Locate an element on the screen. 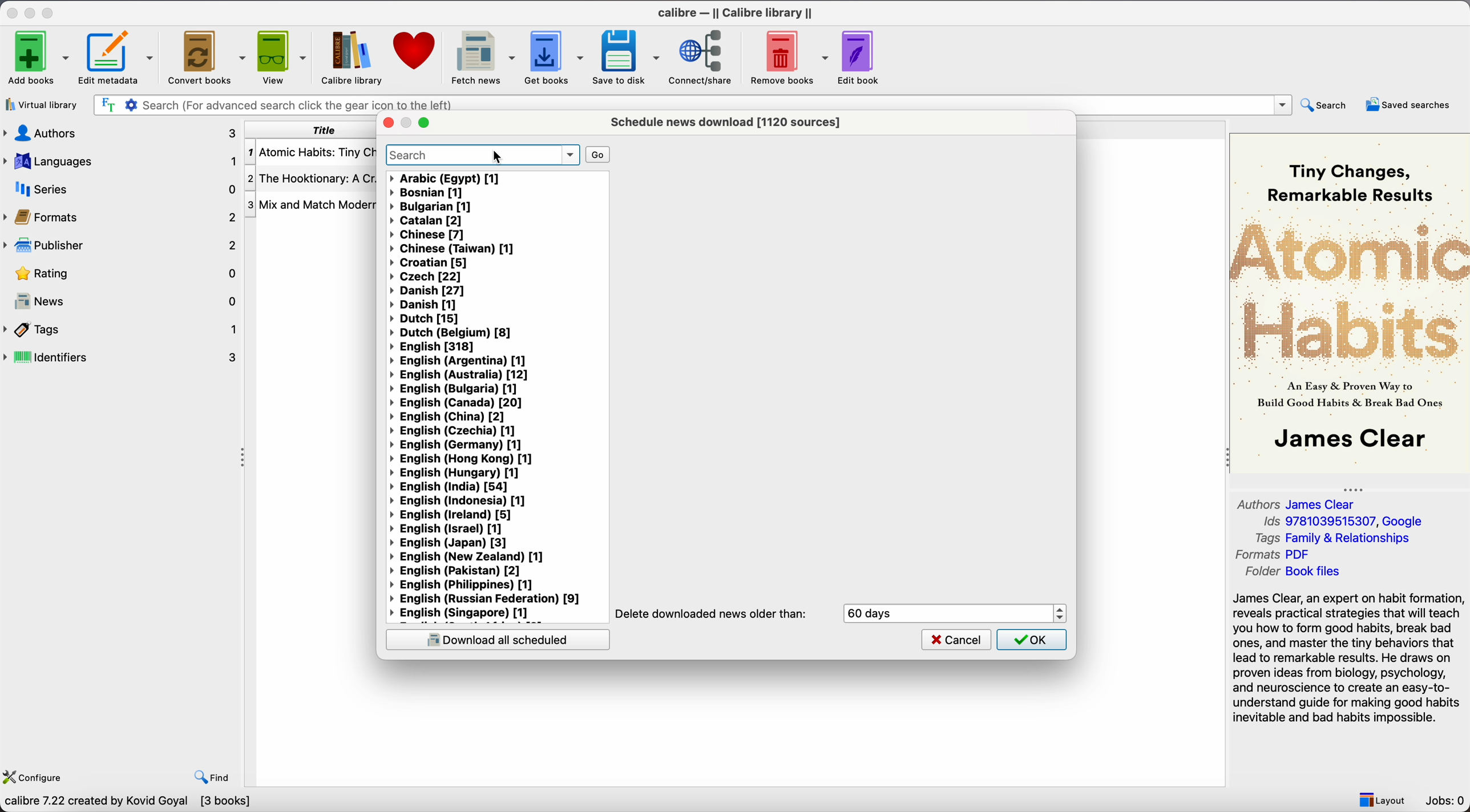 The width and height of the screenshot is (1470, 812). synopsis is located at coordinates (1350, 659).